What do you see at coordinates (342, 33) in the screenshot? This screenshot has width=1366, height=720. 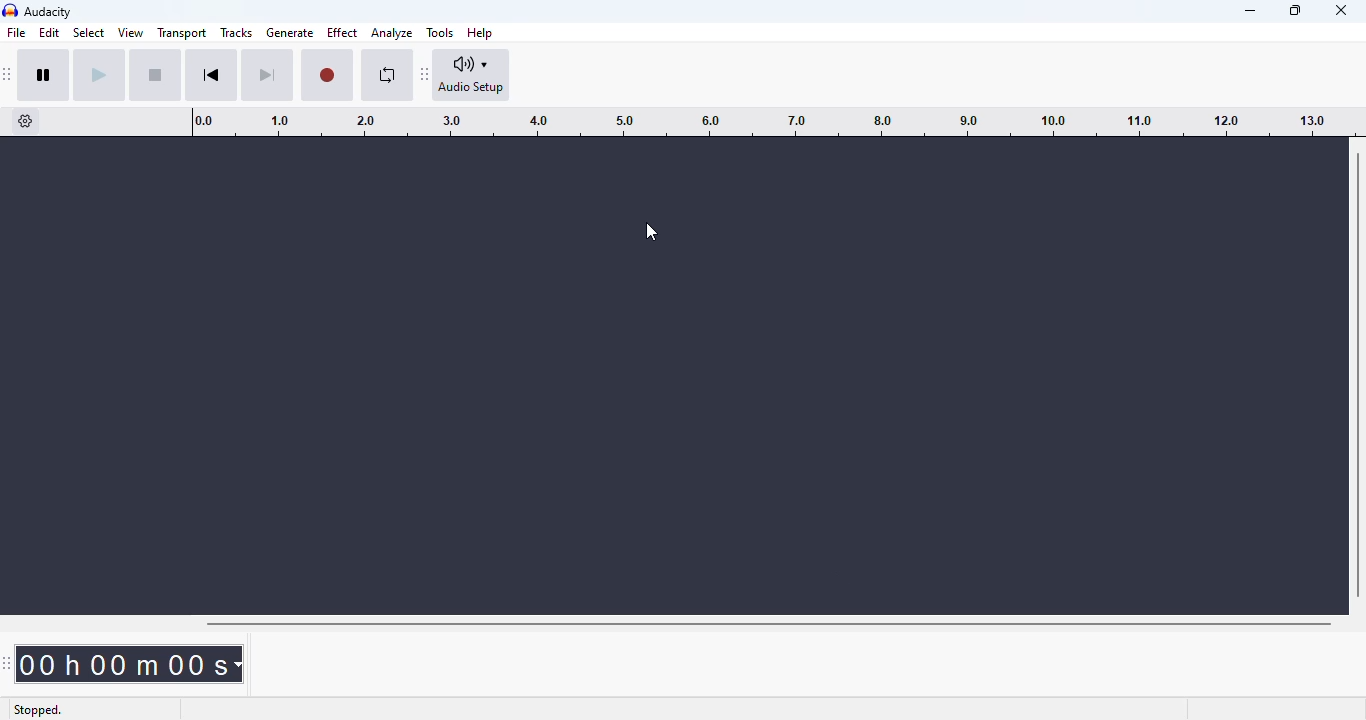 I see `effect` at bounding box center [342, 33].